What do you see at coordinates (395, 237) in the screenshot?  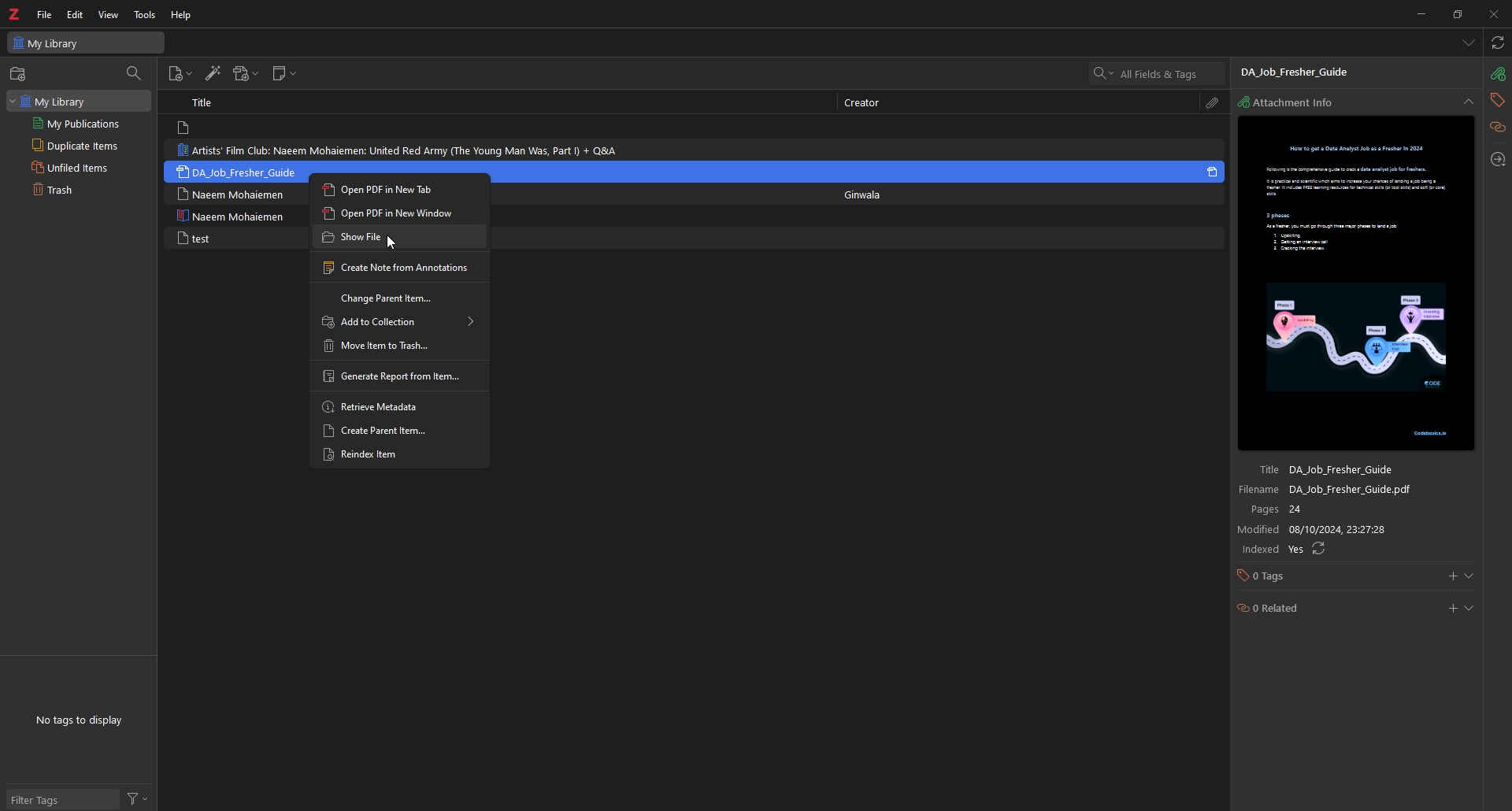 I see `show file` at bounding box center [395, 237].